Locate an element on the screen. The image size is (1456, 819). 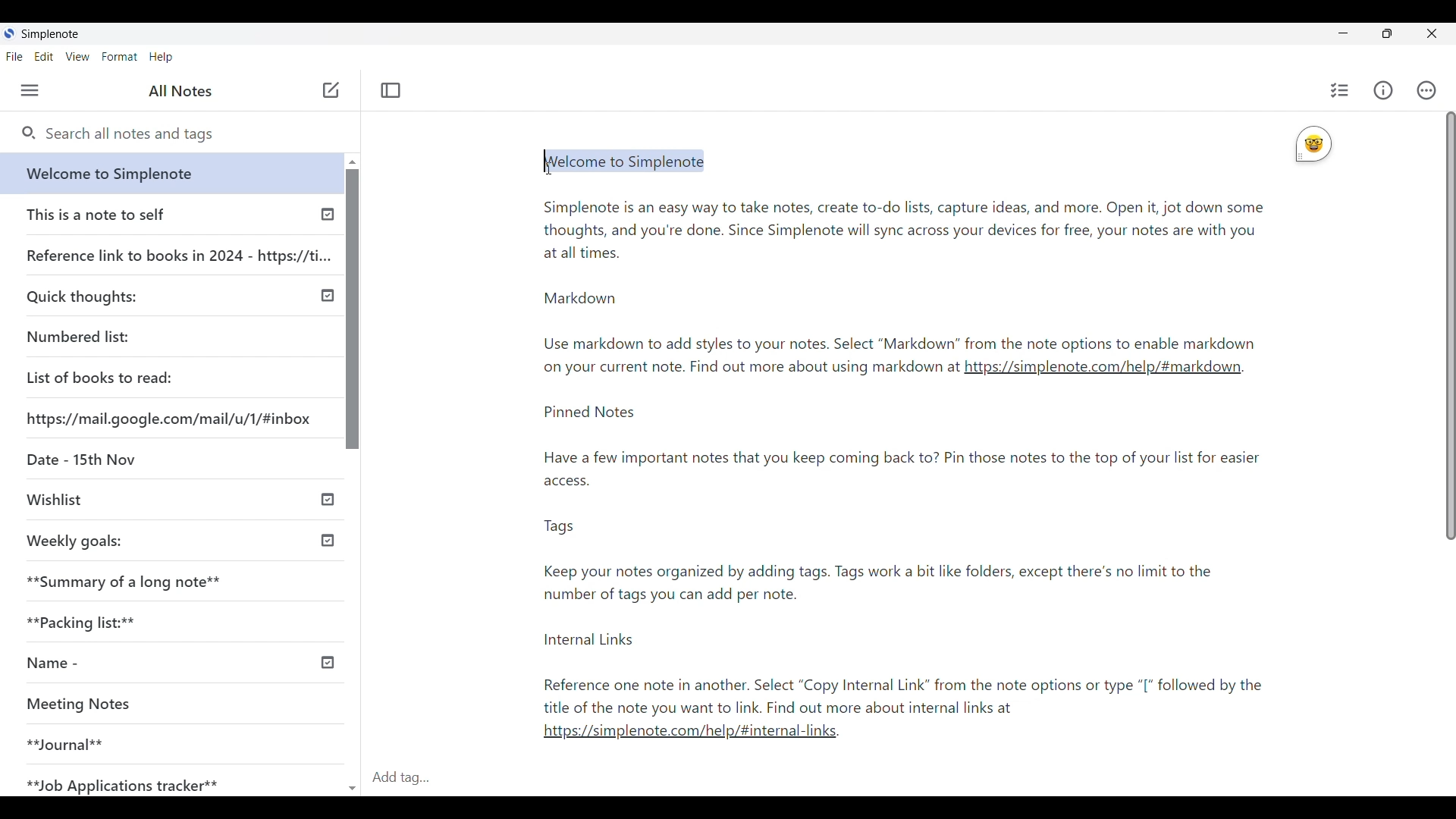
Grammarly extension is located at coordinates (1313, 144).